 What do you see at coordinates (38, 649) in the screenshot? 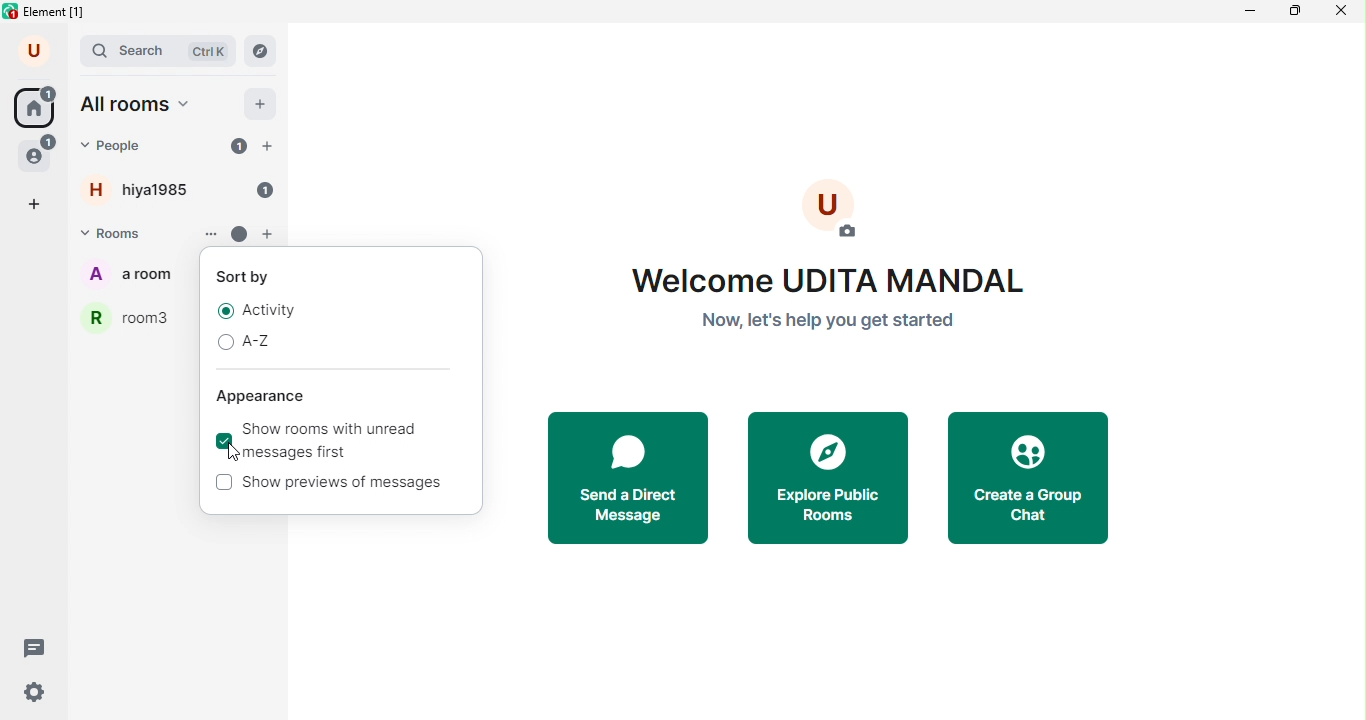
I see `threads` at bounding box center [38, 649].